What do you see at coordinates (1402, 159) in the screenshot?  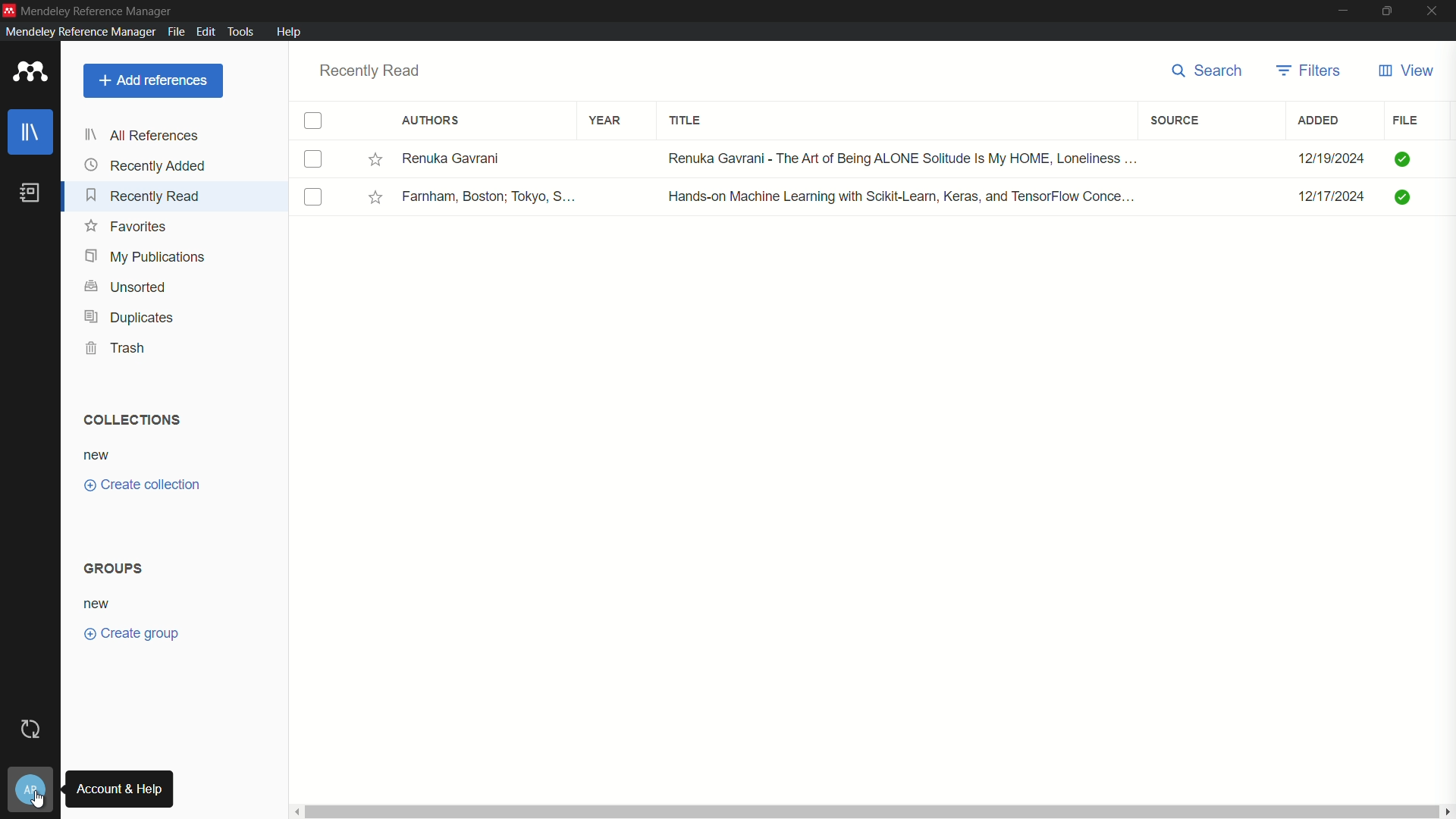 I see `Checked` at bounding box center [1402, 159].